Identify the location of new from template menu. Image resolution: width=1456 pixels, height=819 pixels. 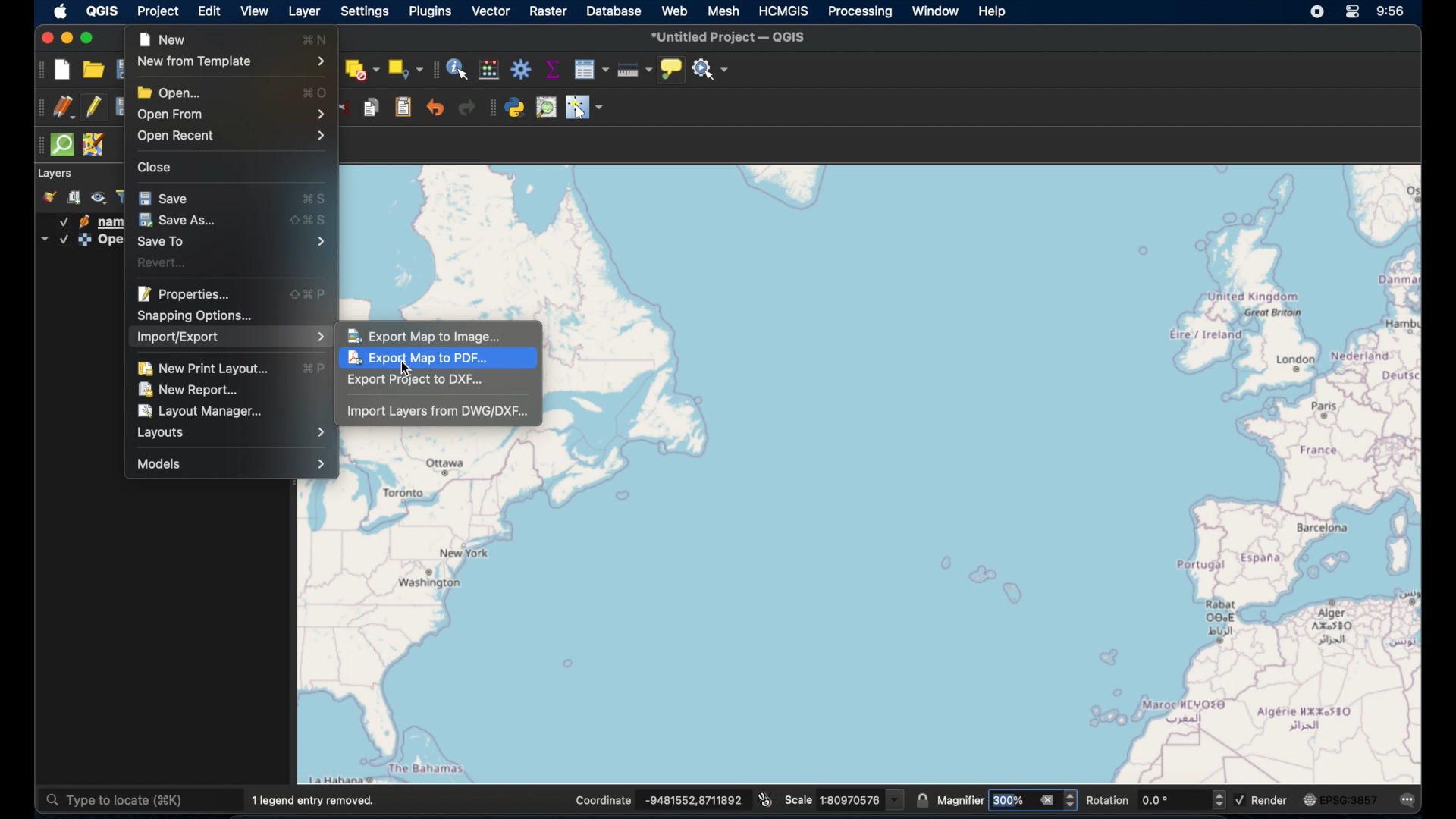
(230, 62).